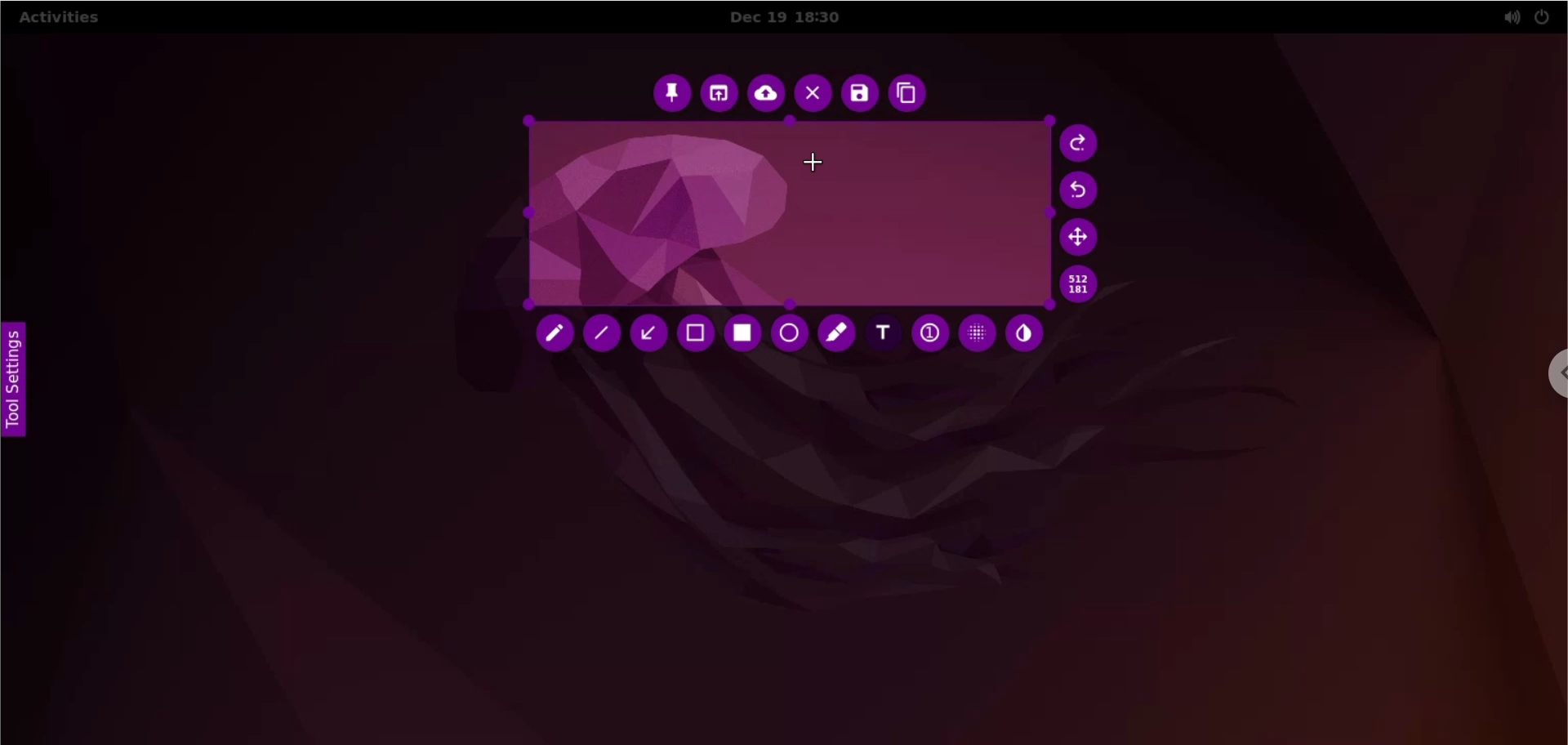 This screenshot has height=745, width=1568. What do you see at coordinates (764, 94) in the screenshot?
I see `upload` at bounding box center [764, 94].